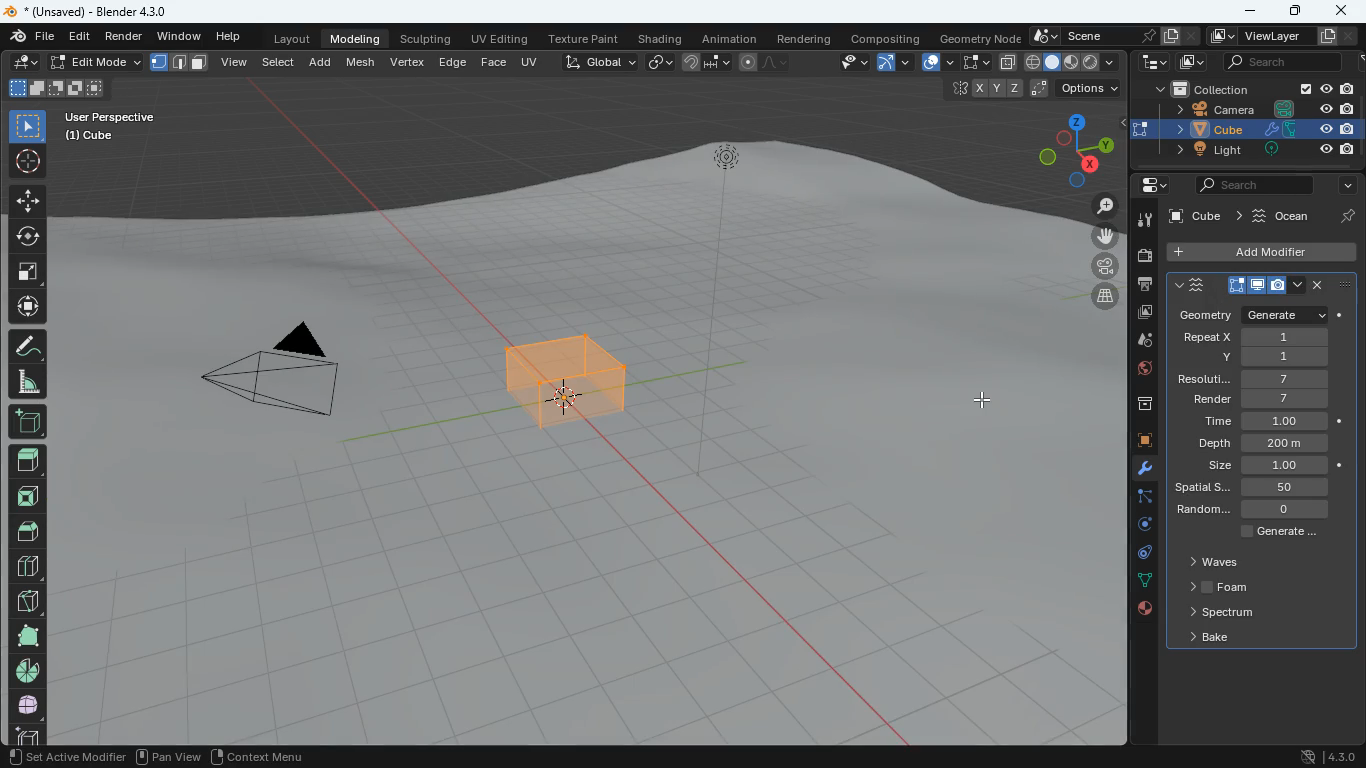  I want to click on add, so click(324, 61).